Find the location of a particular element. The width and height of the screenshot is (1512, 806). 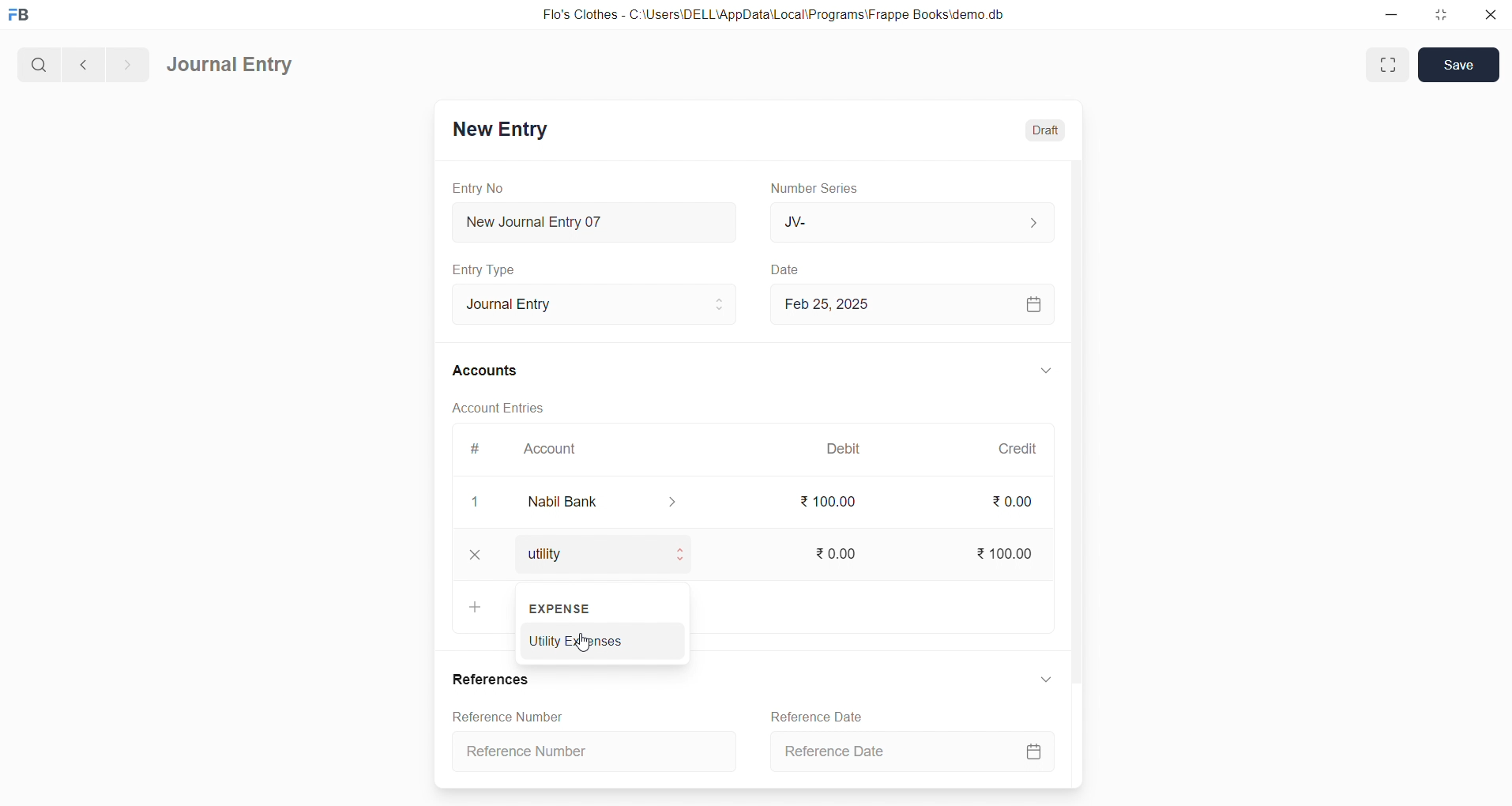

Close is located at coordinates (476, 555).